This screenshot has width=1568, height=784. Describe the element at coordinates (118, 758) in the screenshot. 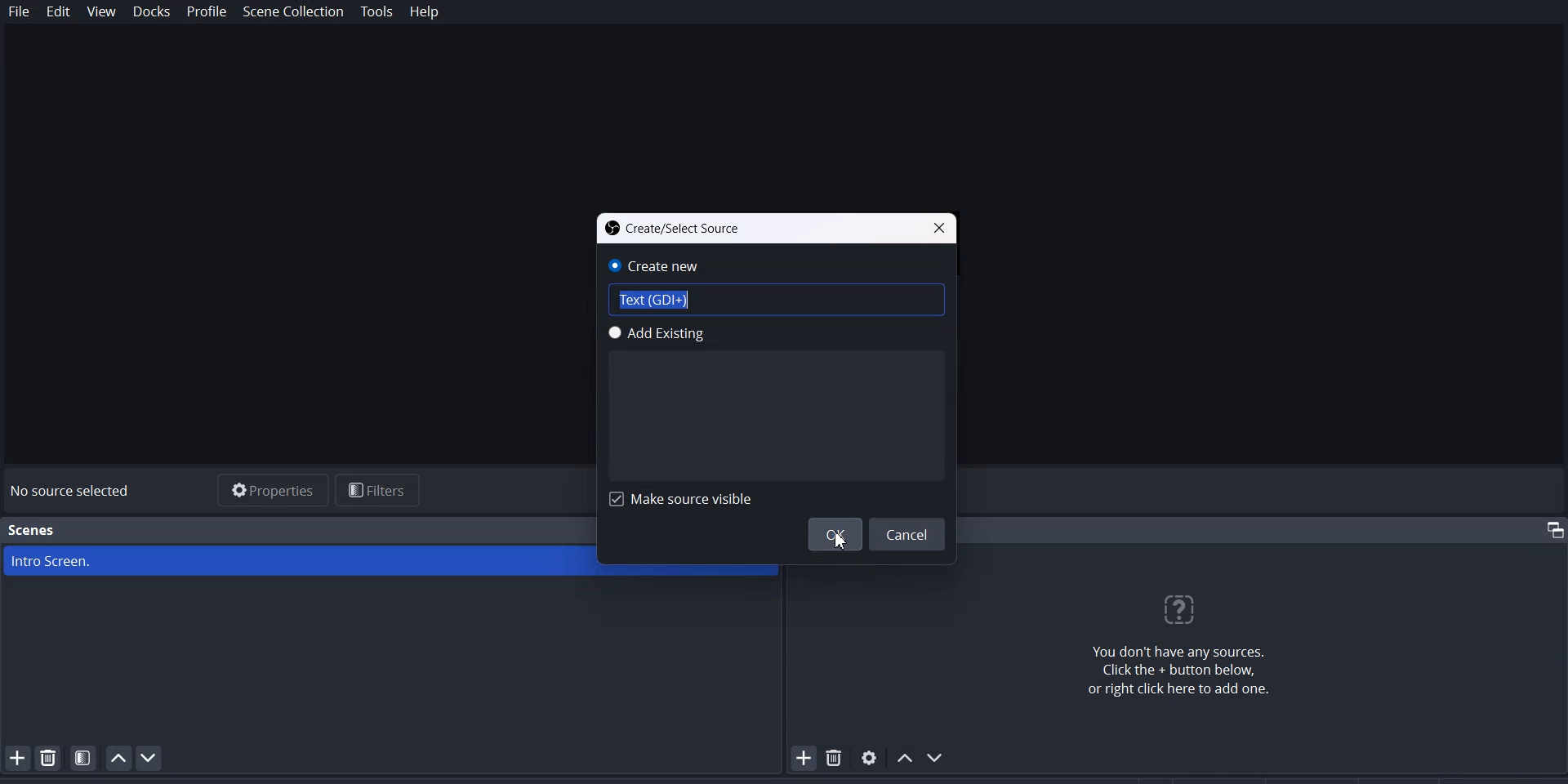

I see `Move Scene Up` at that location.